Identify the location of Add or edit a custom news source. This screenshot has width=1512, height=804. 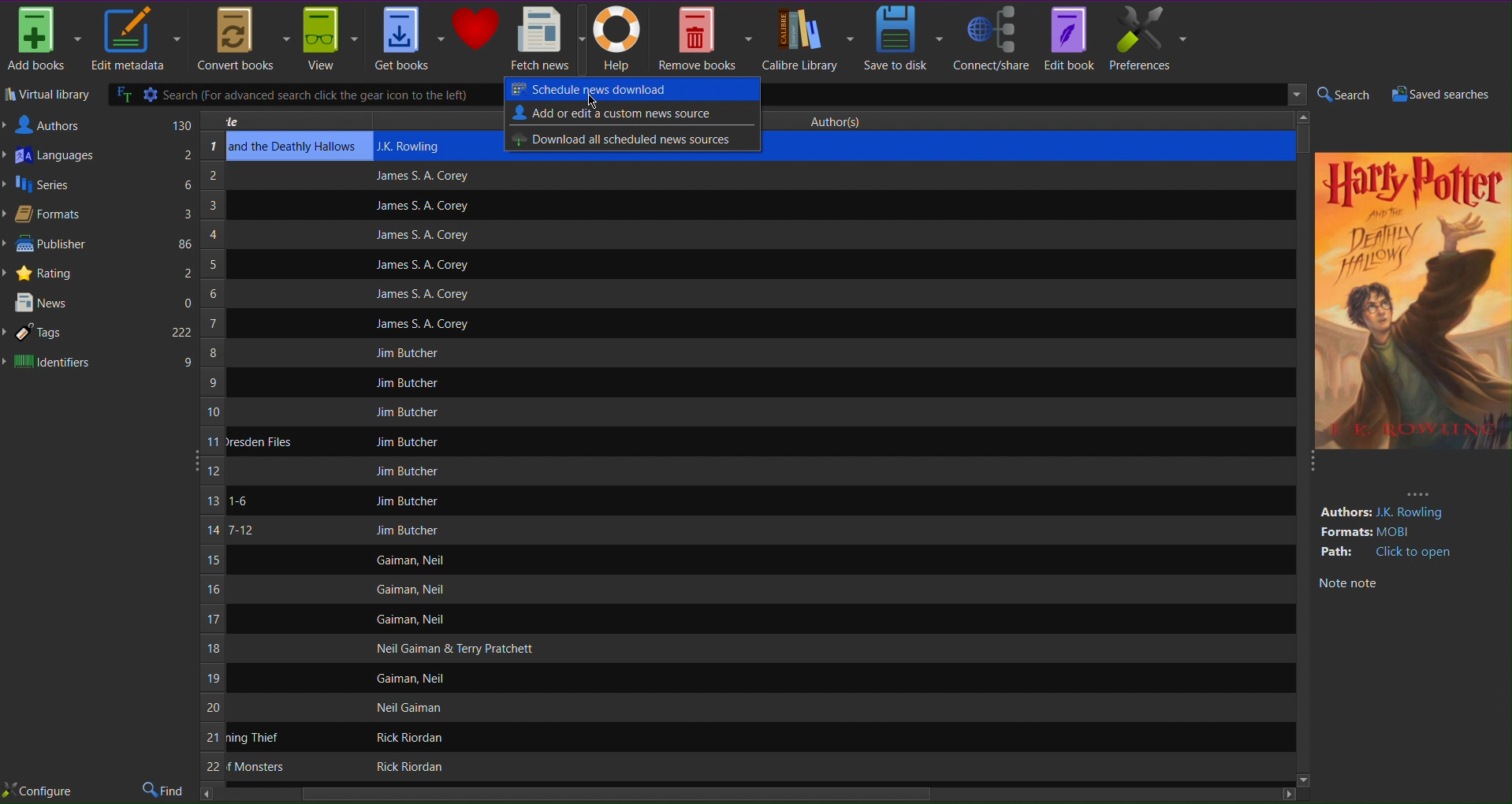
(616, 113).